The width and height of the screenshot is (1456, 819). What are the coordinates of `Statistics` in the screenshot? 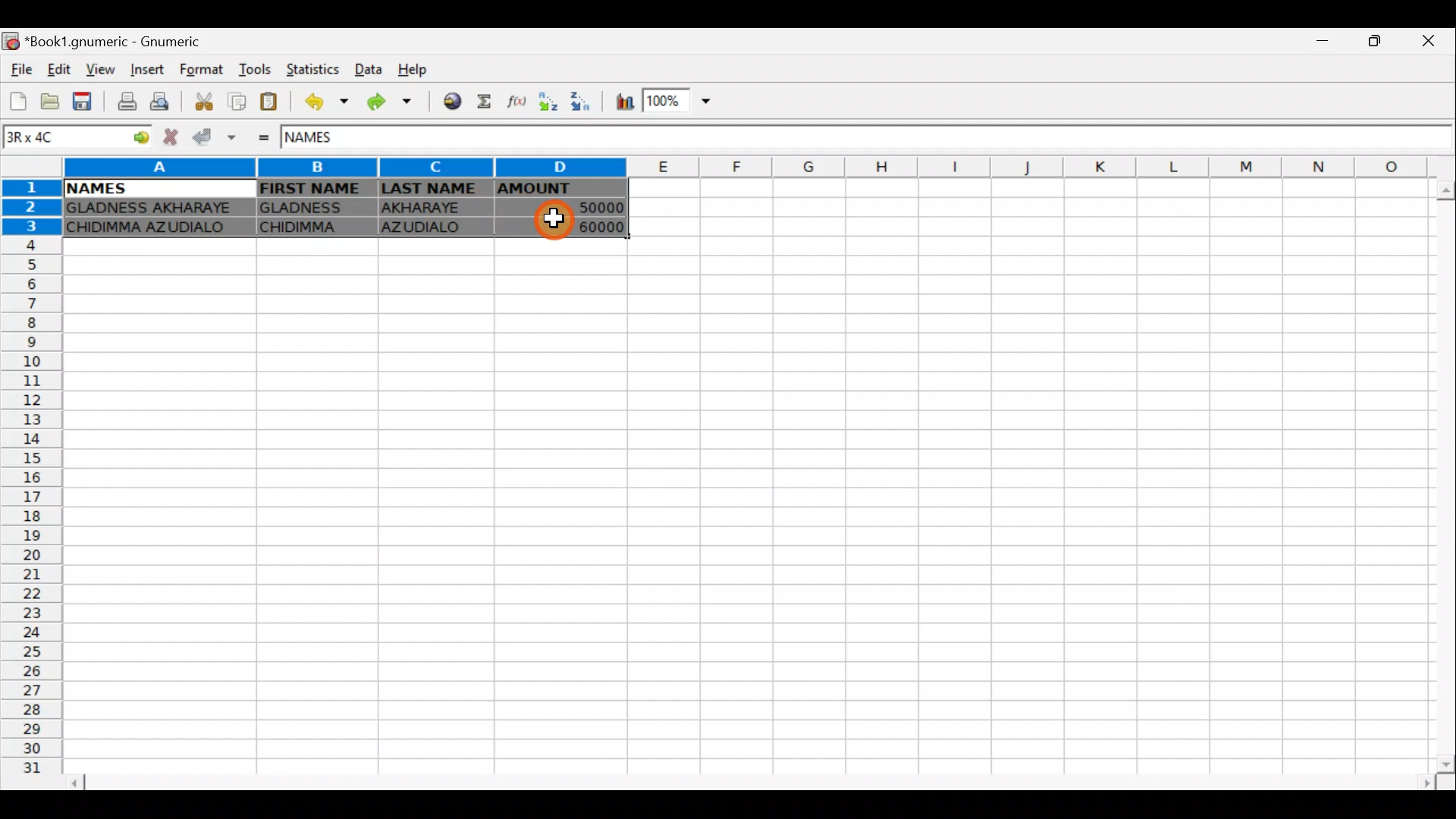 It's located at (314, 71).